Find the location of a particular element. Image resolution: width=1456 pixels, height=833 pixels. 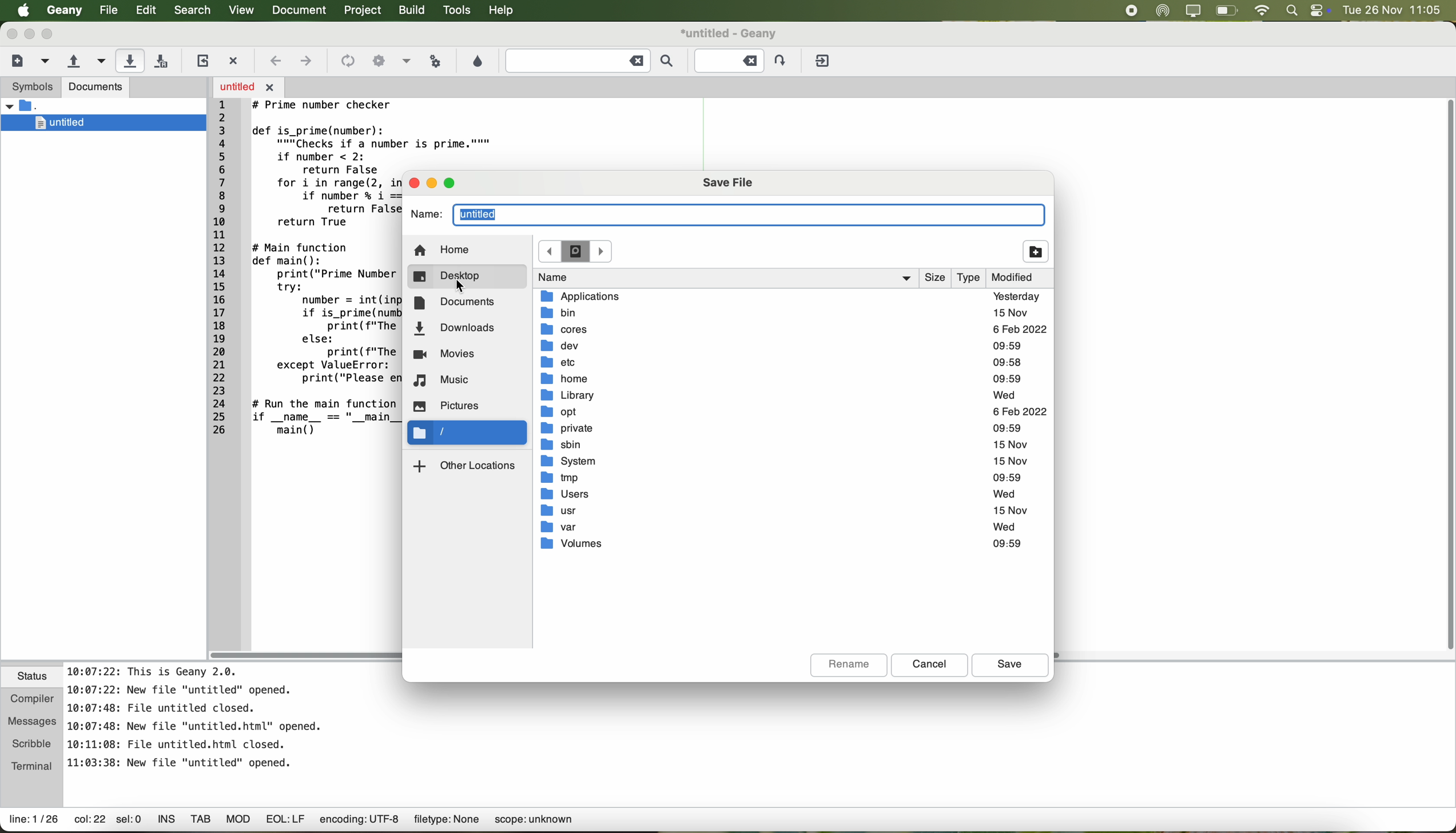

downloads is located at coordinates (454, 329).